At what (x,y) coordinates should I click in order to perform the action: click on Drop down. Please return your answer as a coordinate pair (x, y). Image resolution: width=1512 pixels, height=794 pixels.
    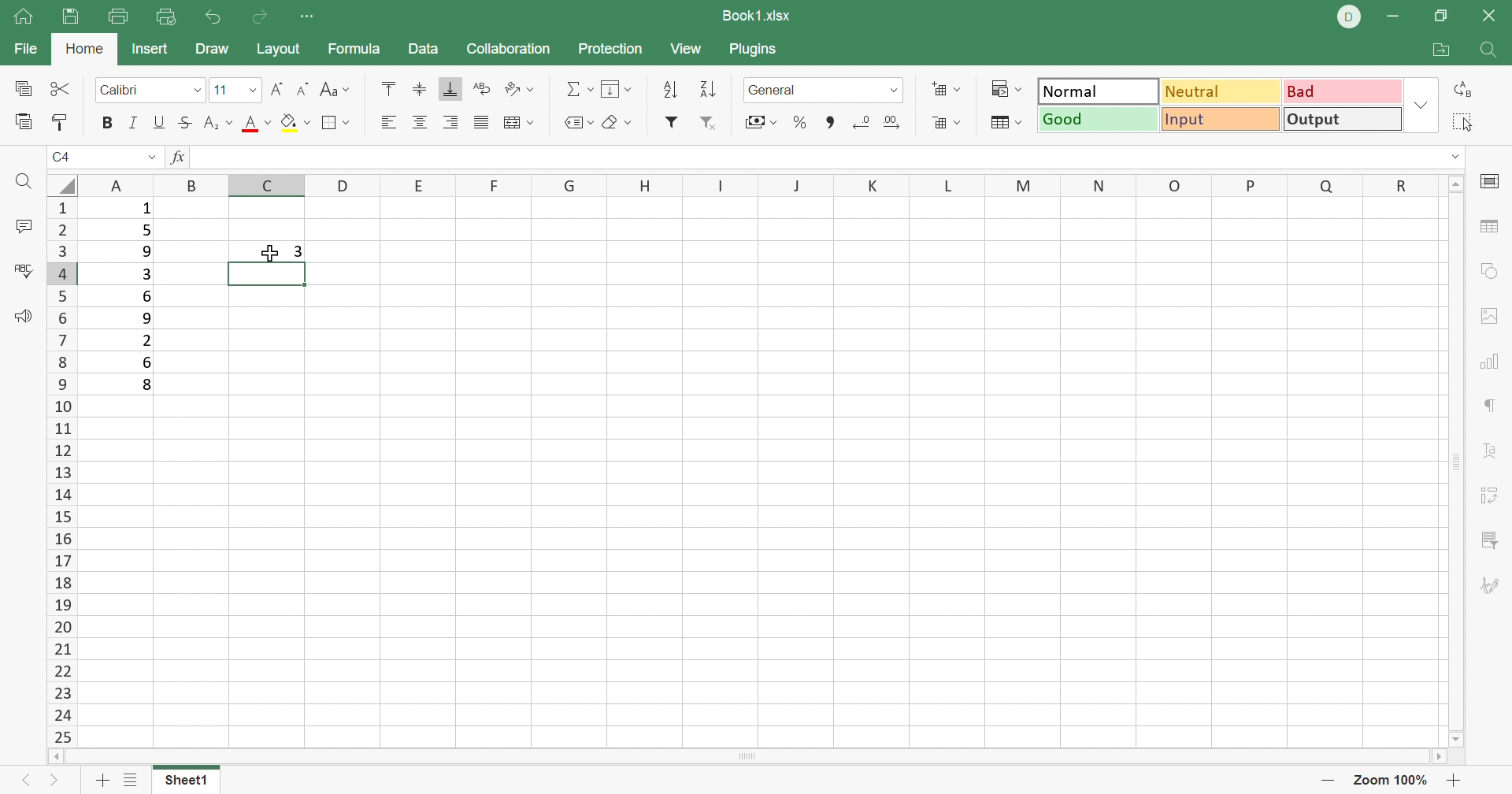
    Looking at the image, I should click on (1421, 109).